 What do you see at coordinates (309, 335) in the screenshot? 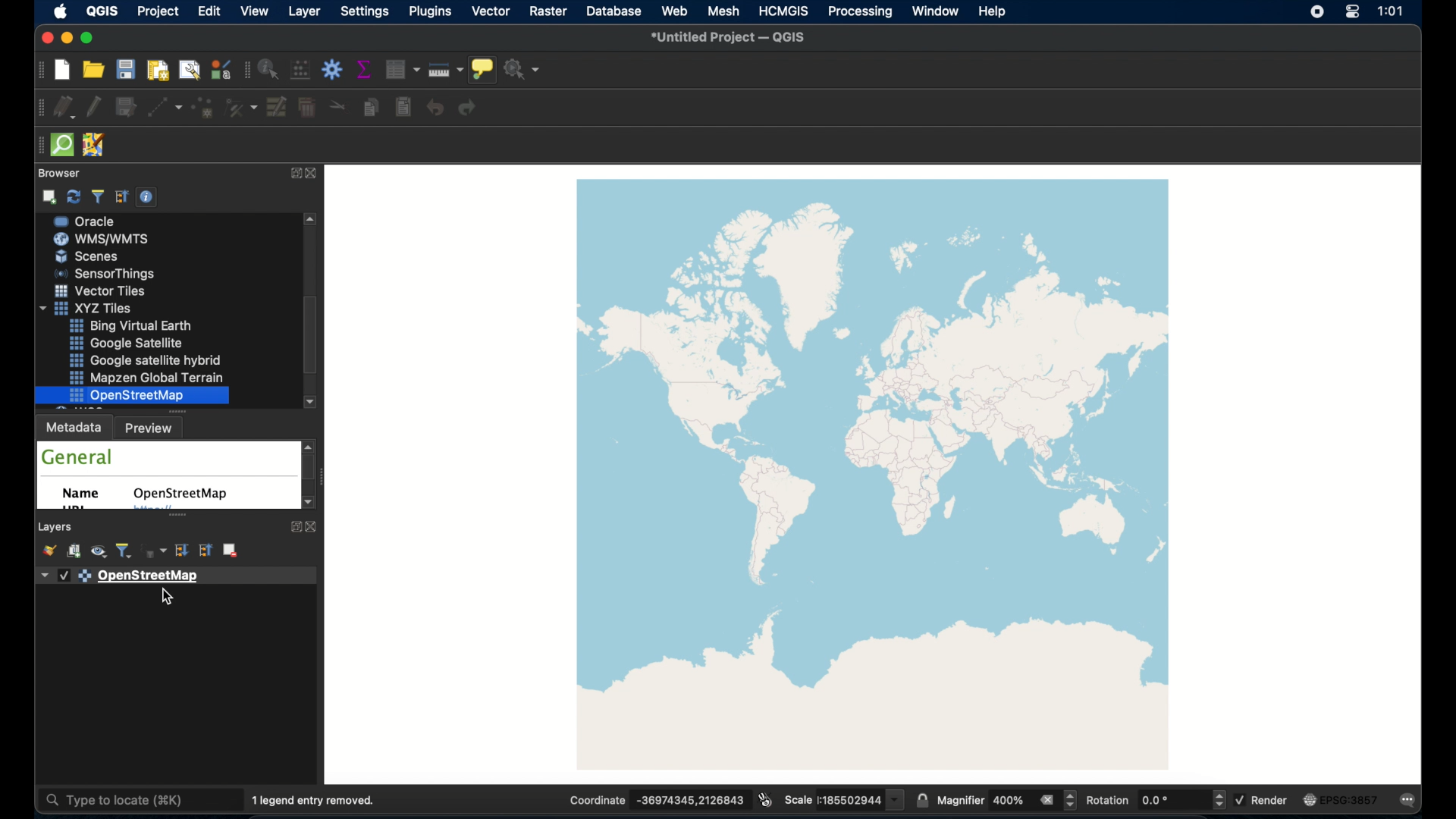
I see `scroll box` at bounding box center [309, 335].